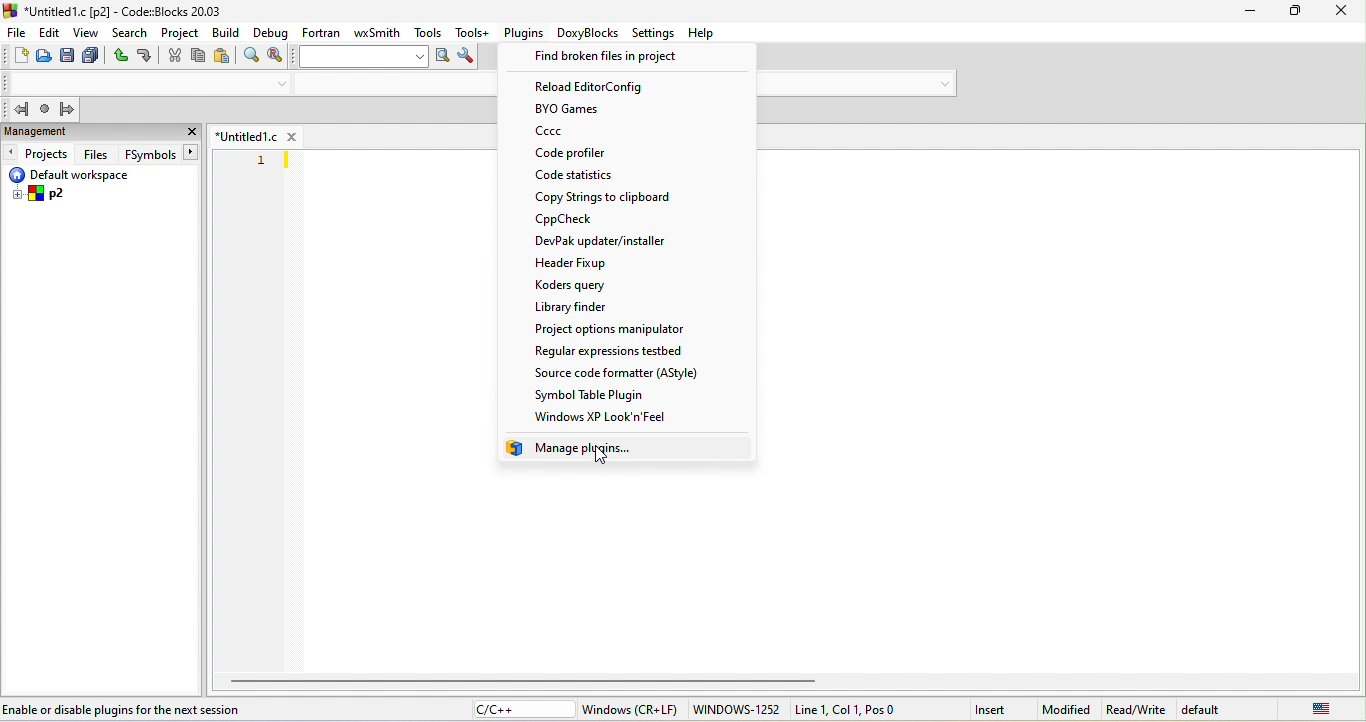 The image size is (1366, 722). What do you see at coordinates (577, 448) in the screenshot?
I see `manage plugins` at bounding box center [577, 448].